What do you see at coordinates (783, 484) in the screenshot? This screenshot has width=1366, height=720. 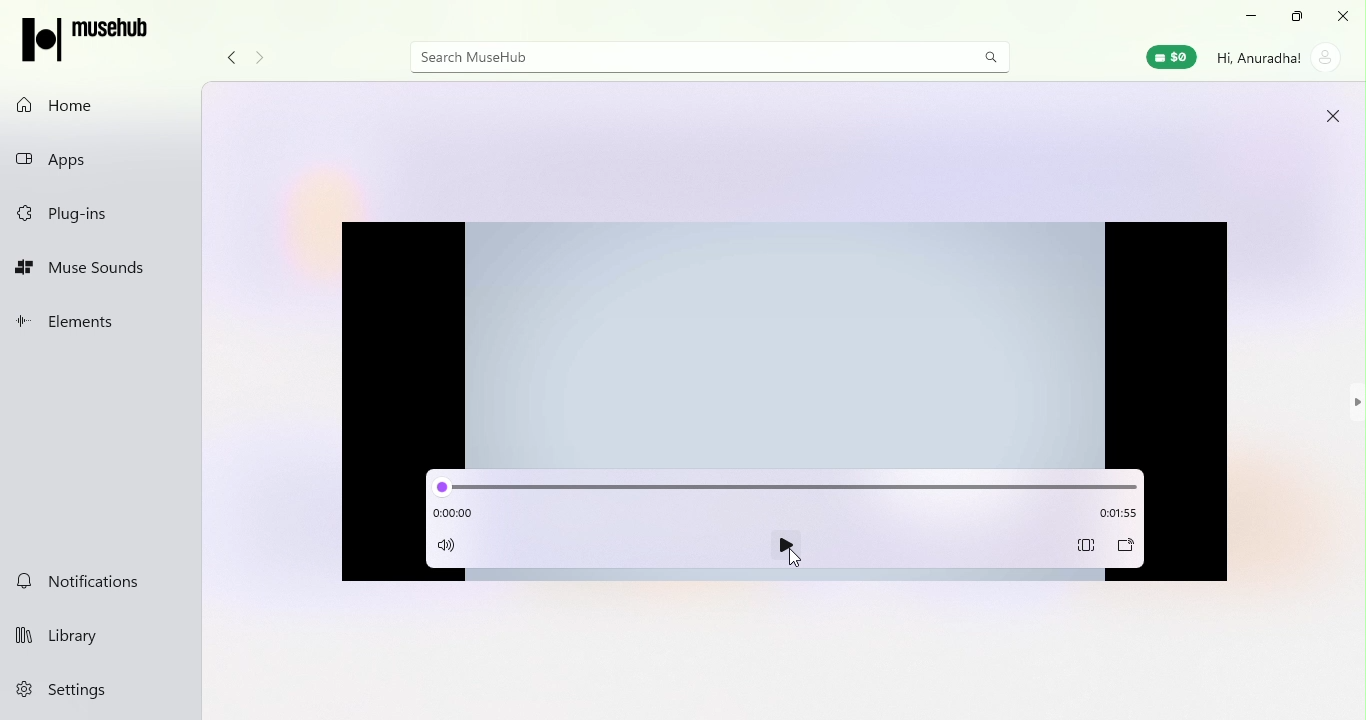 I see `slide bar` at bounding box center [783, 484].